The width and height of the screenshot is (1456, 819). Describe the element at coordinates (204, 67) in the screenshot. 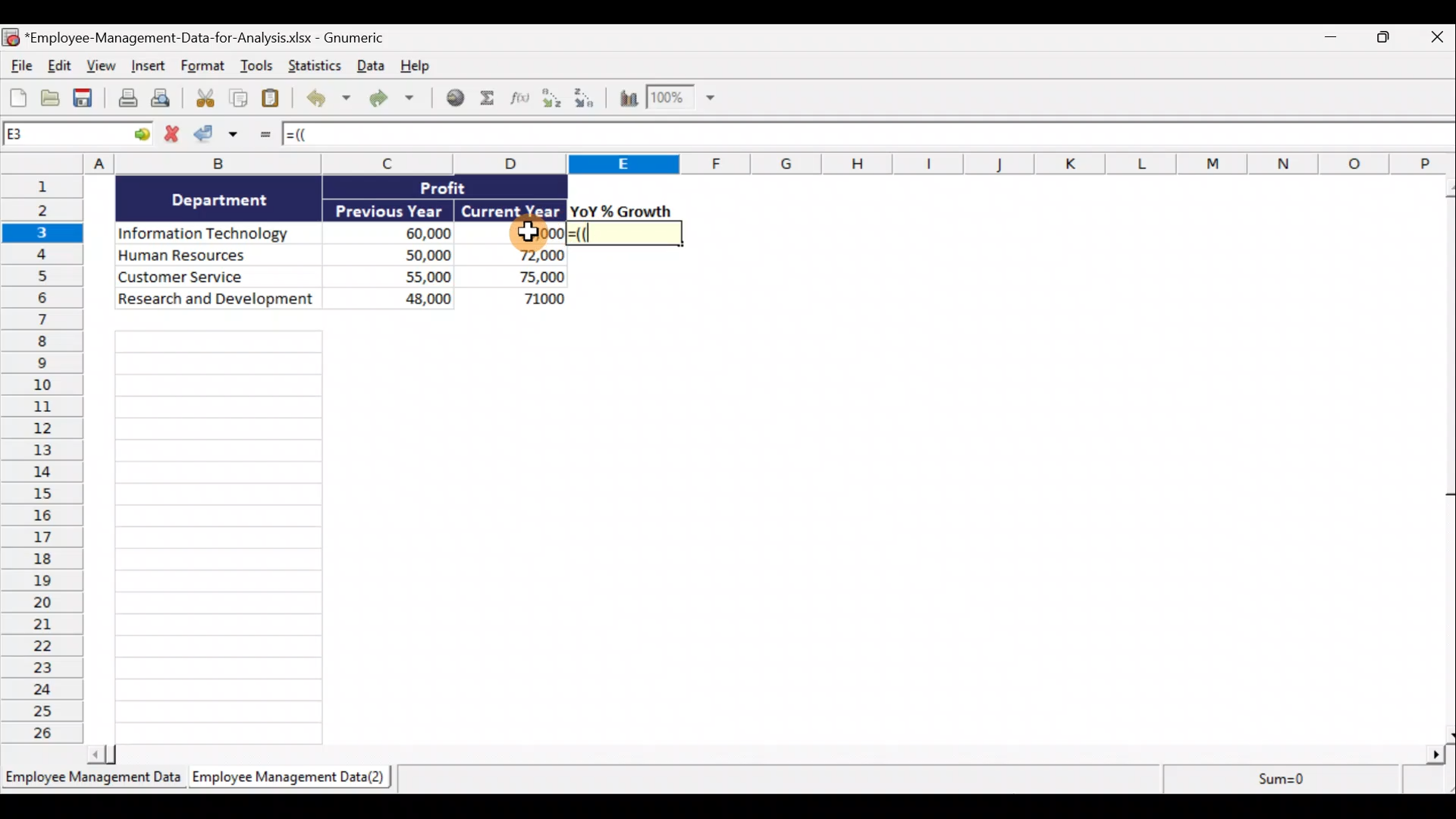

I see `Format` at that location.